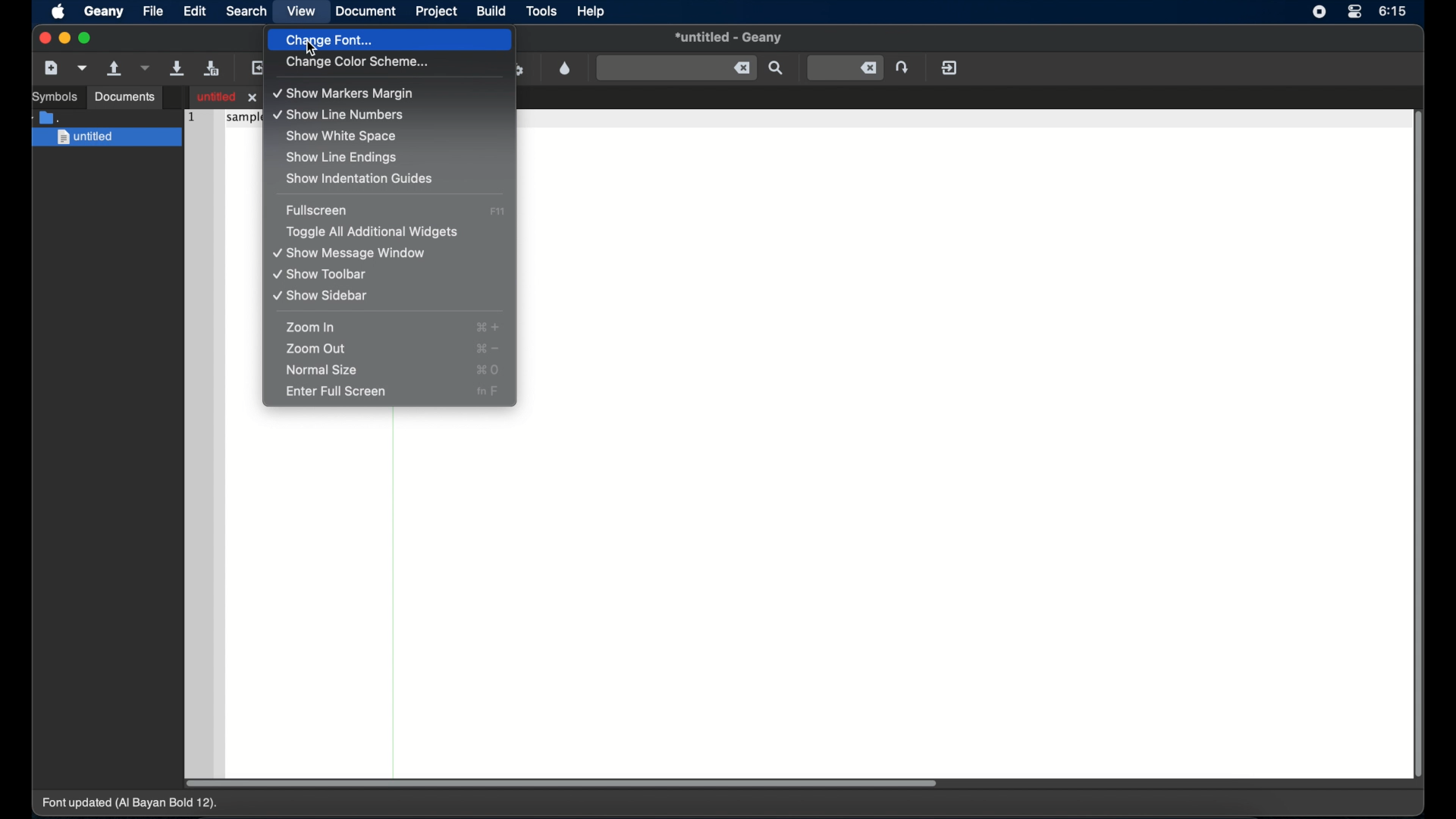  Describe the element at coordinates (347, 94) in the screenshot. I see `show markers margin` at that location.